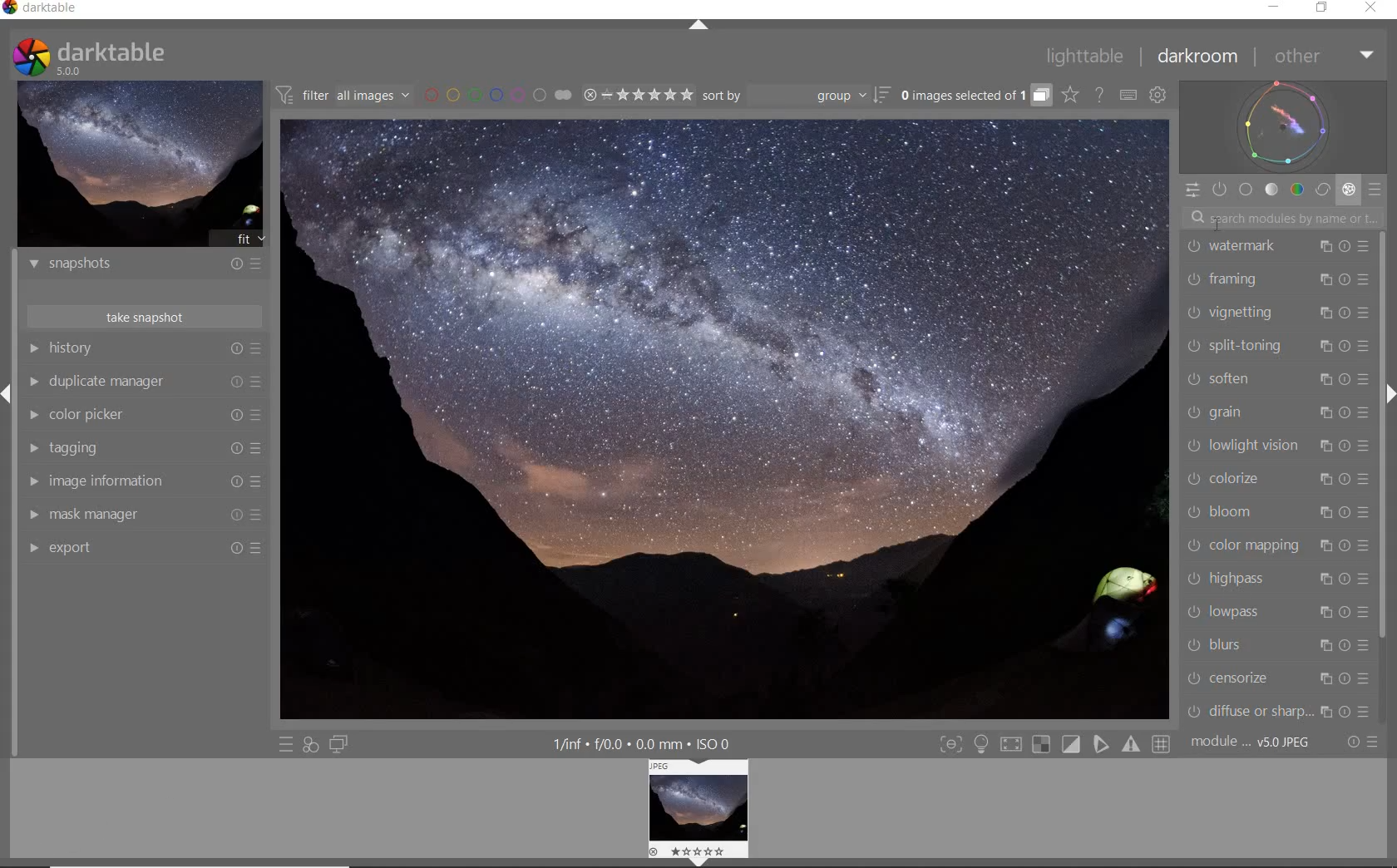 The height and width of the screenshot is (868, 1397). What do you see at coordinates (234, 378) in the screenshot?
I see `reset` at bounding box center [234, 378].